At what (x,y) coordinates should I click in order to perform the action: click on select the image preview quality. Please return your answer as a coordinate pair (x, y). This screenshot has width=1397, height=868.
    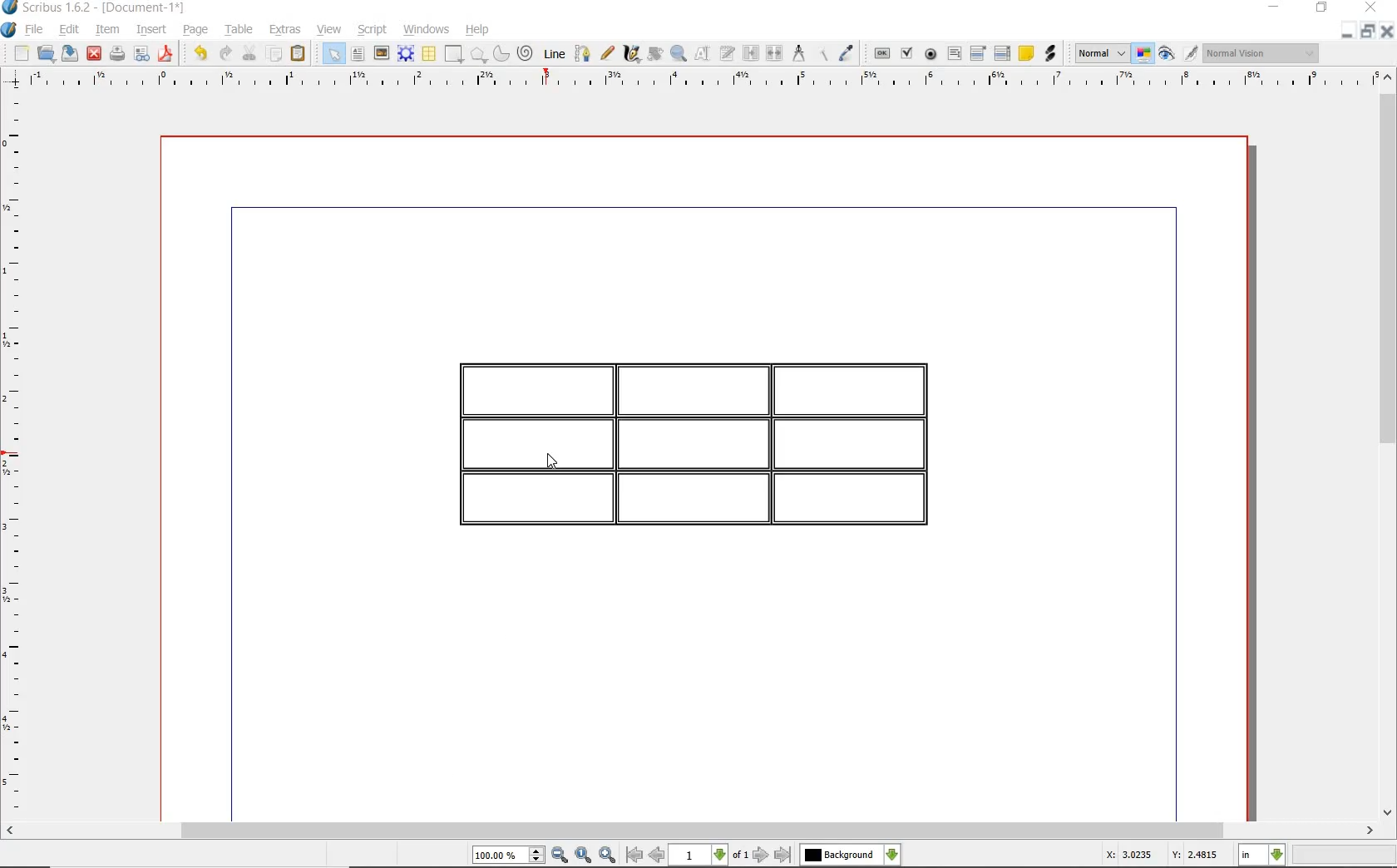
    Looking at the image, I should click on (1097, 53).